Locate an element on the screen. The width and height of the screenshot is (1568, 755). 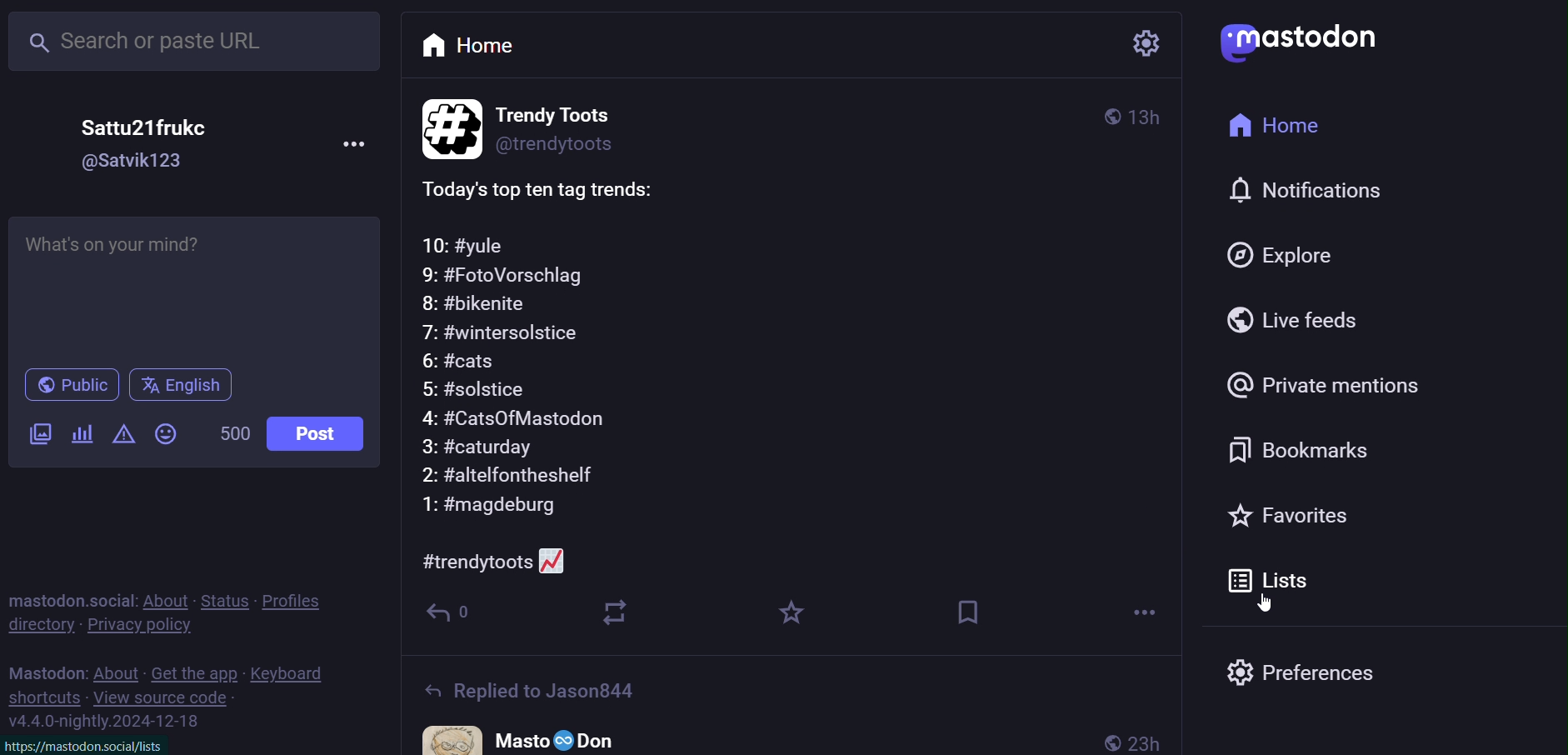
search or paste URL is located at coordinates (200, 37).